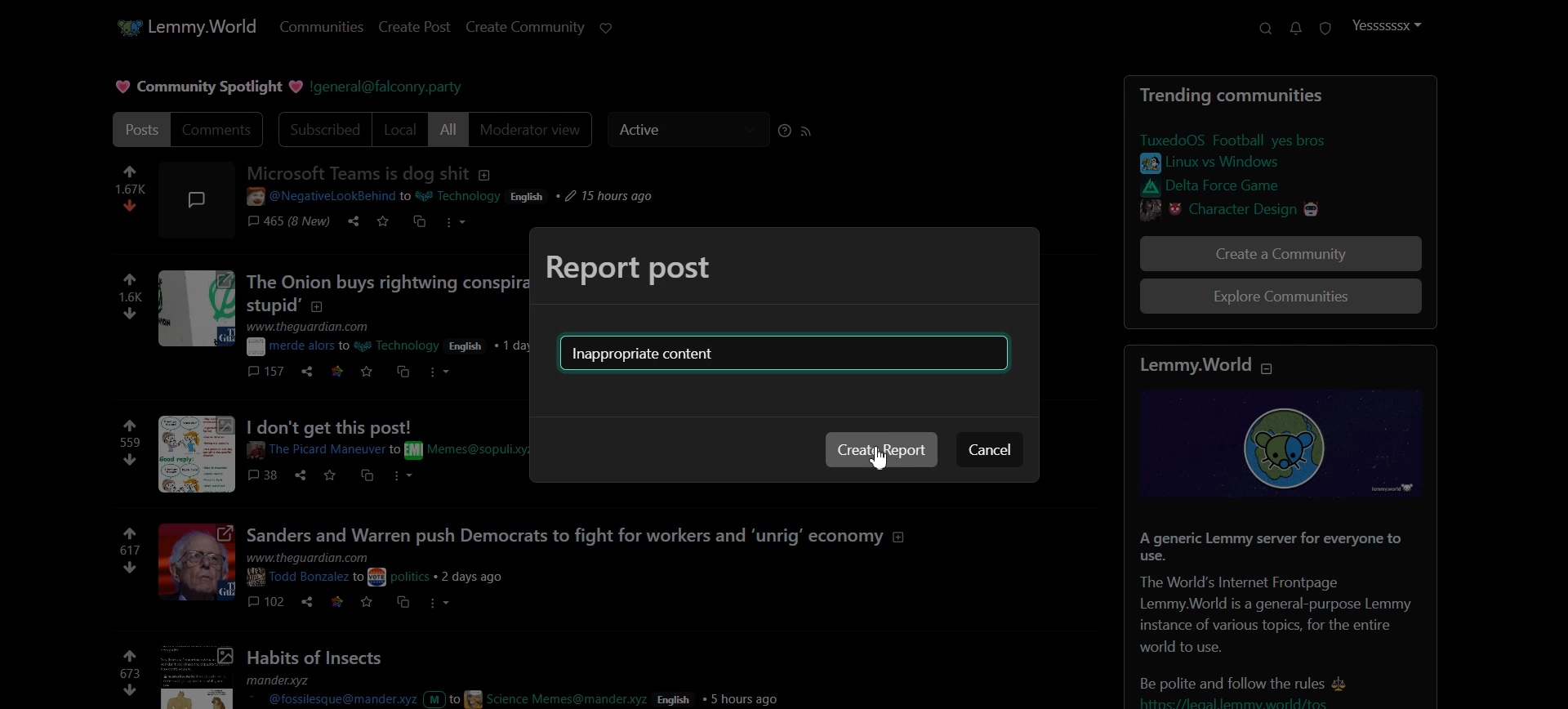 Image resolution: width=1568 pixels, height=709 pixels. What do you see at coordinates (390, 87) in the screenshot?
I see `Hyperlink` at bounding box center [390, 87].